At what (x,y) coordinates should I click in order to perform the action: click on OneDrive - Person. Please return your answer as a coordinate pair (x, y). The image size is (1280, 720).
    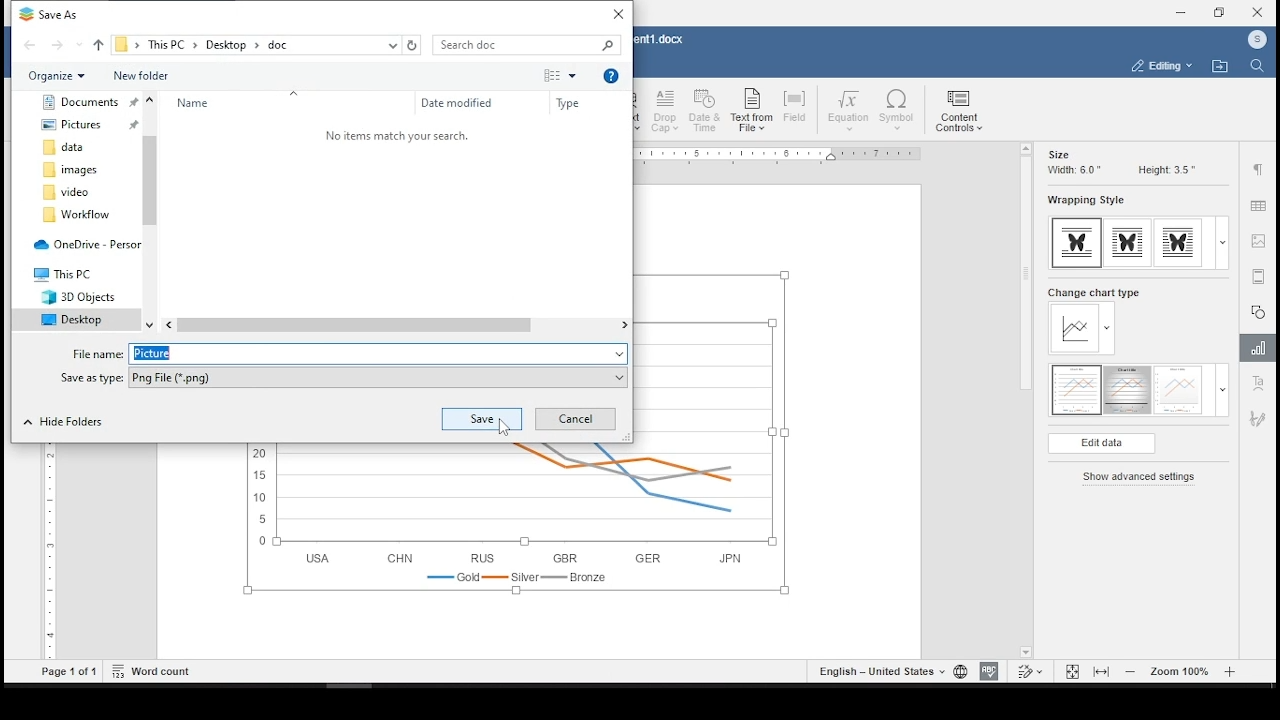
    Looking at the image, I should click on (83, 243).